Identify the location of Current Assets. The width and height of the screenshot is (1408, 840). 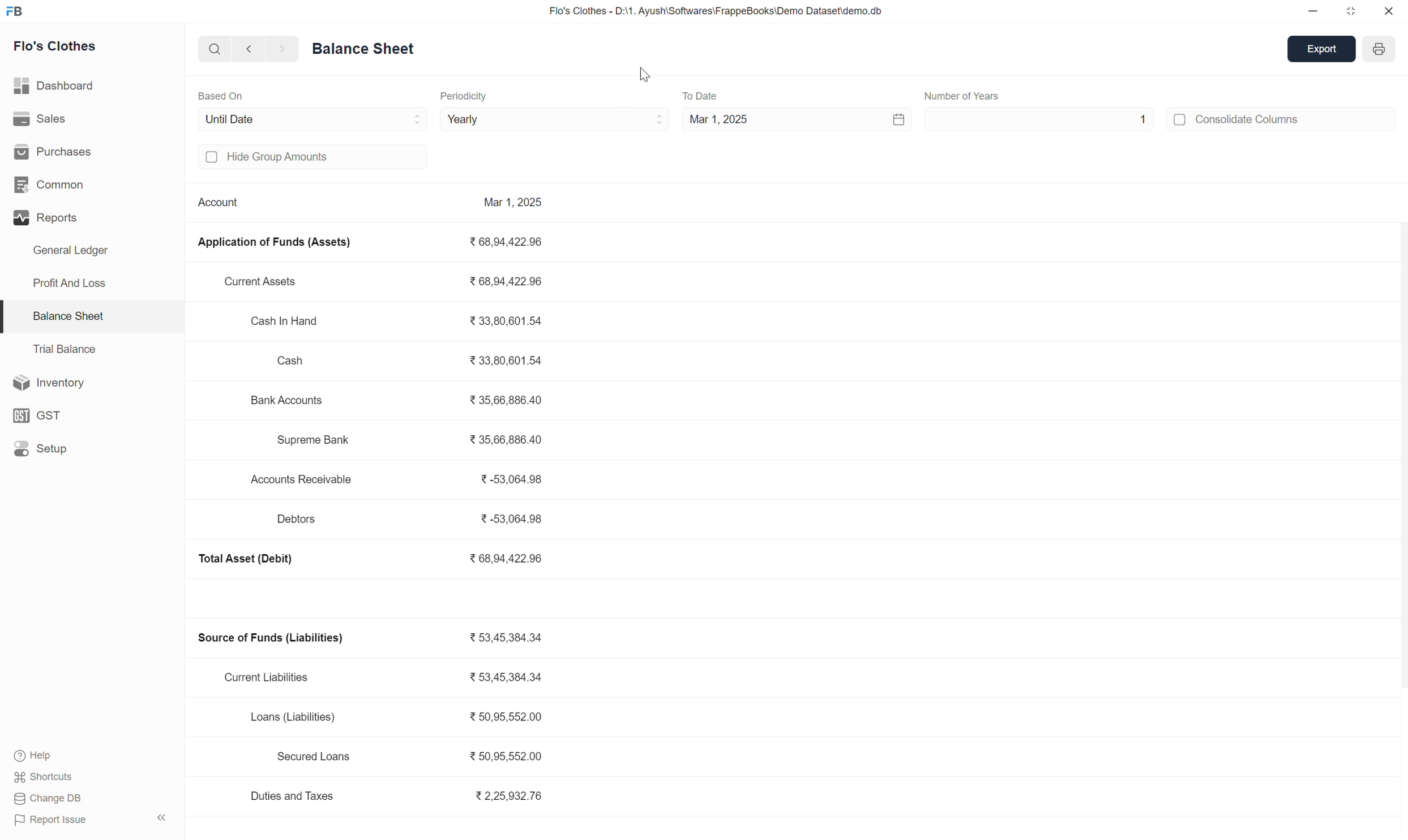
(264, 282).